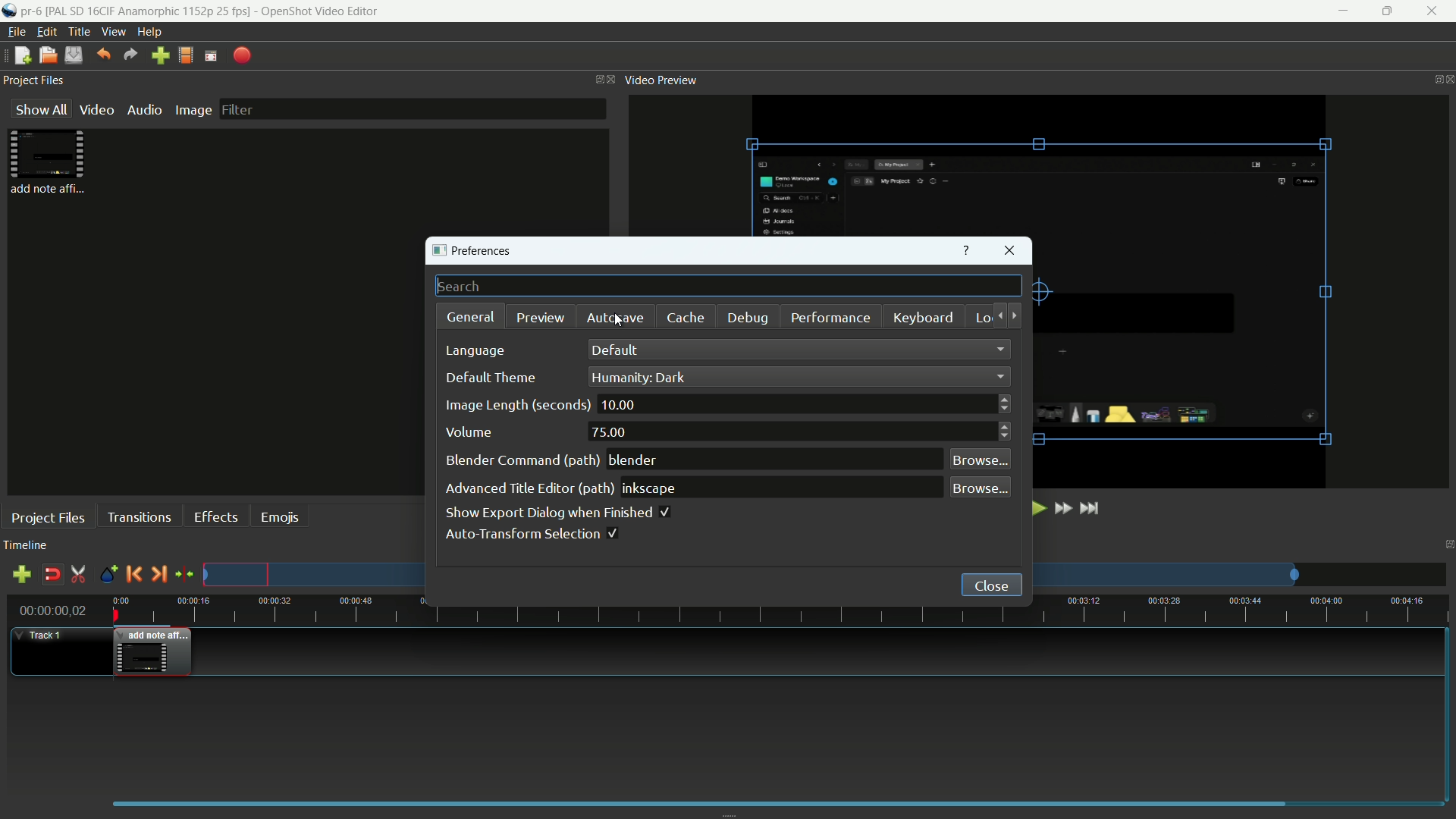 The image size is (1456, 819). What do you see at coordinates (133, 574) in the screenshot?
I see `previous marker` at bounding box center [133, 574].